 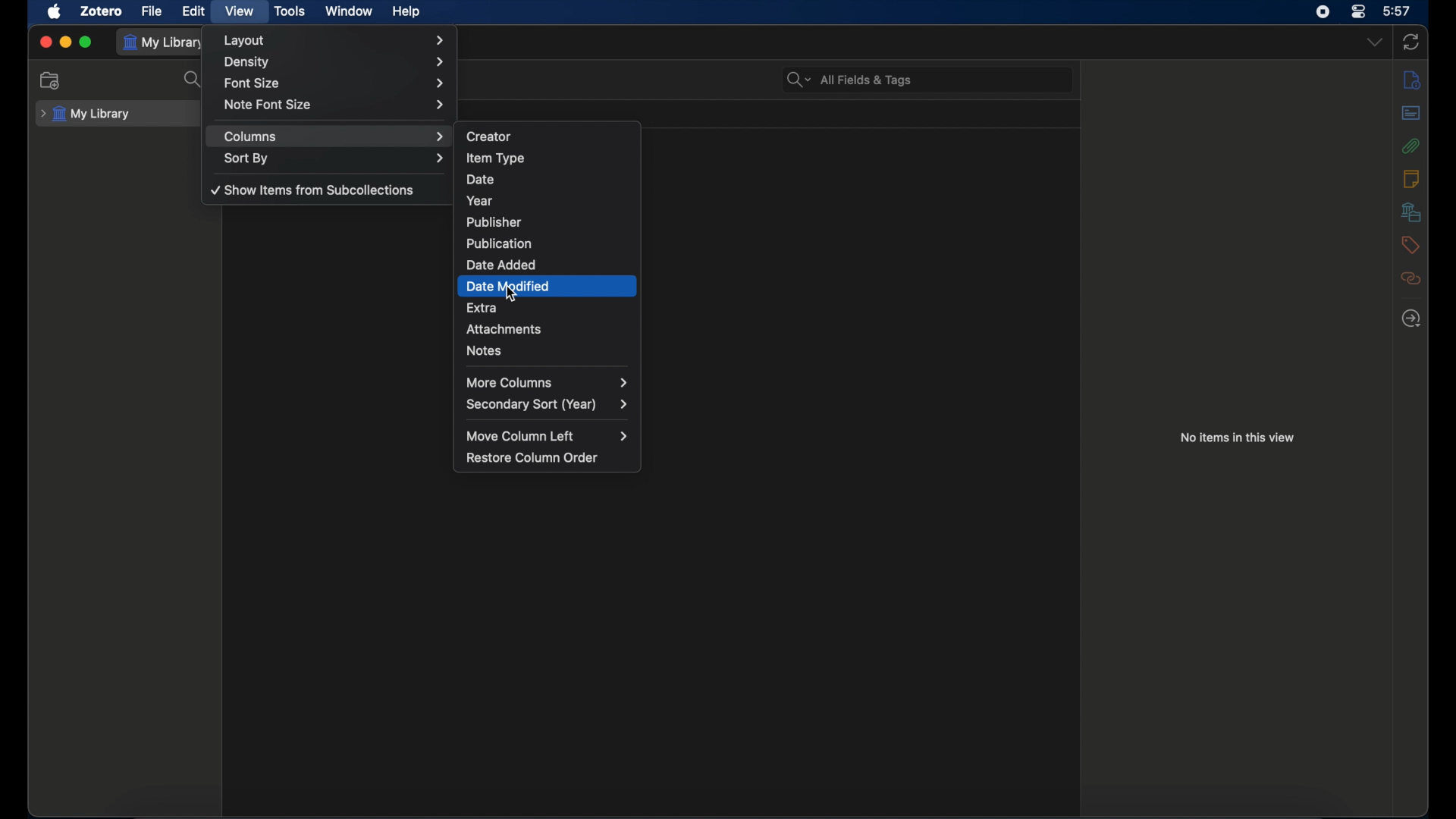 What do you see at coordinates (312, 191) in the screenshot?
I see `show items from subcollections` at bounding box center [312, 191].